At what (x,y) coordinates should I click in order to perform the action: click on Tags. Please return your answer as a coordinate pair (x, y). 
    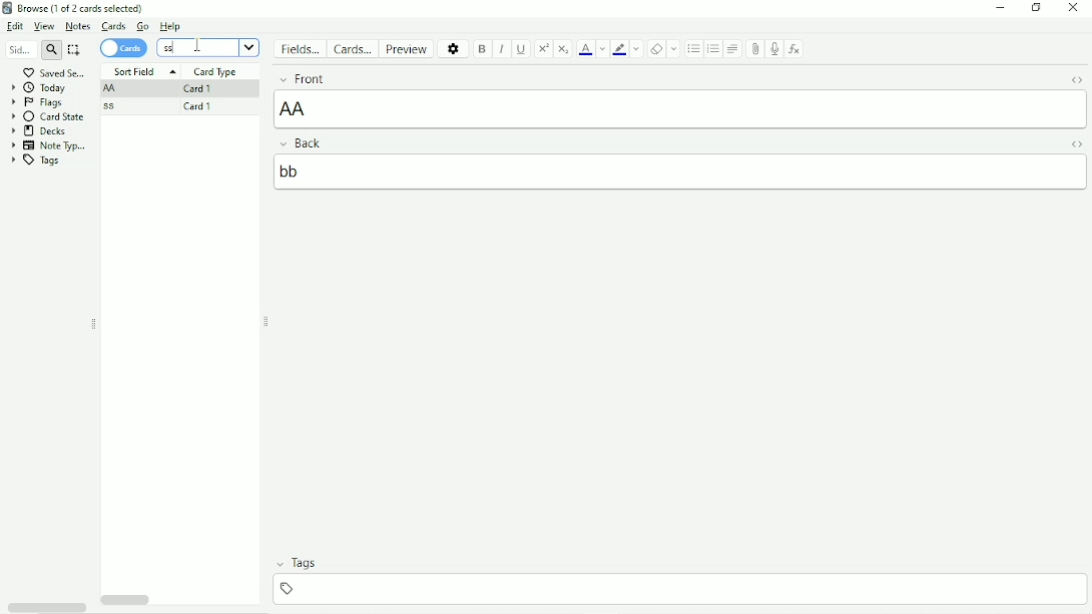
    Looking at the image, I should click on (37, 161).